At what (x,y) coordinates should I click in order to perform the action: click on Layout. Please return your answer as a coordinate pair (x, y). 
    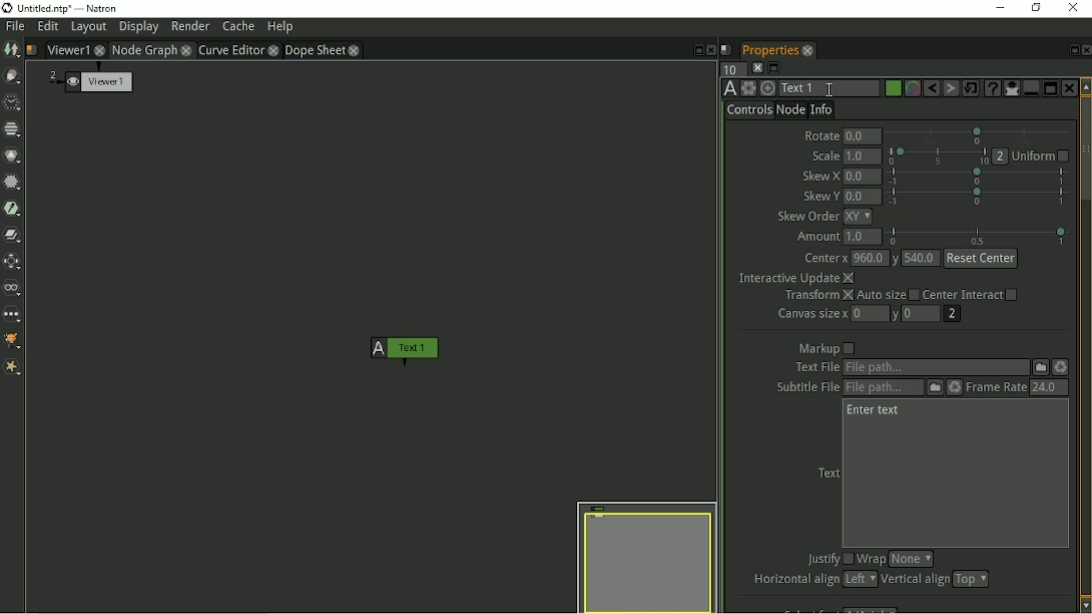
    Looking at the image, I should click on (88, 28).